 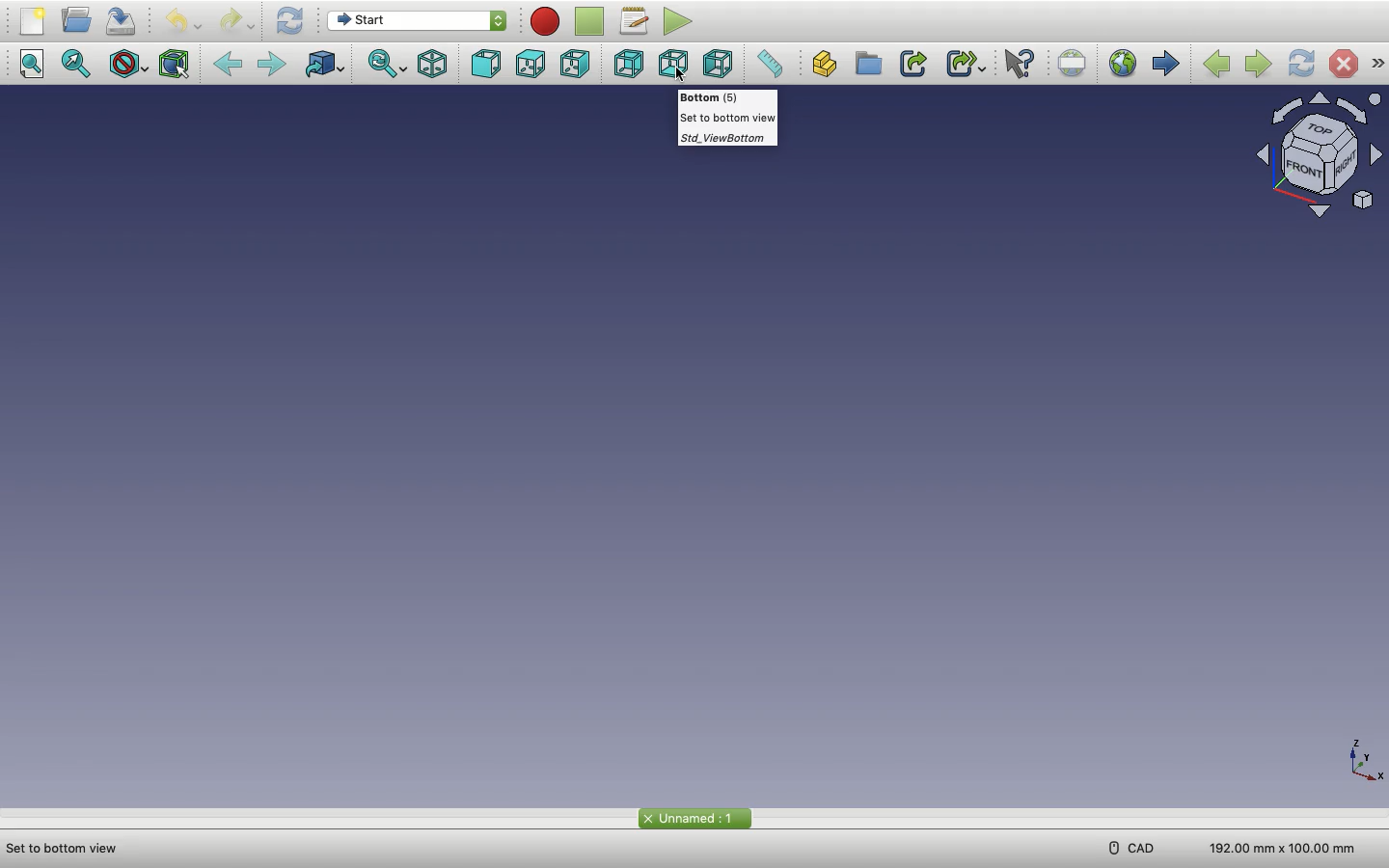 I want to click on Right, so click(x=577, y=64).